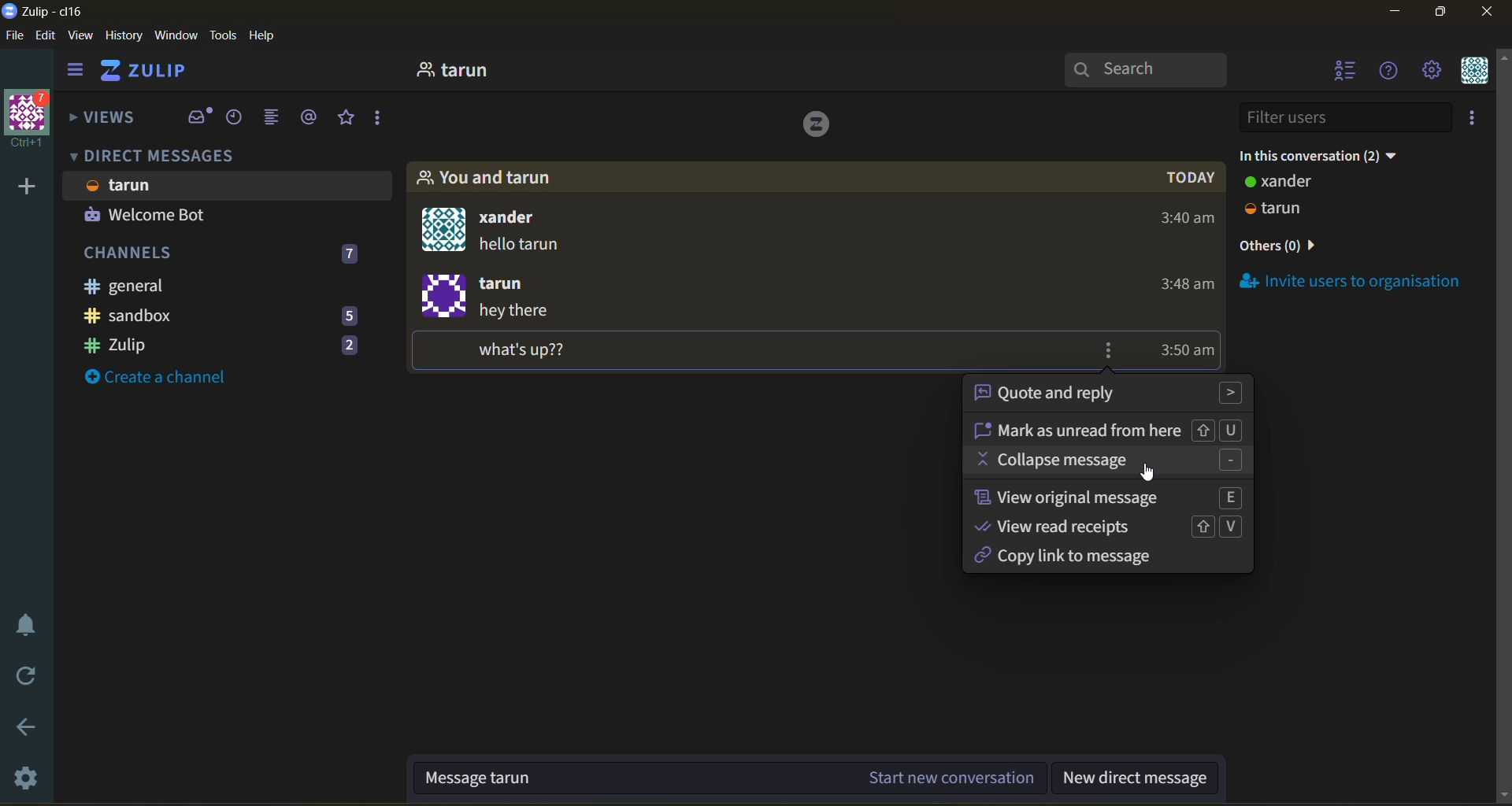  Describe the element at coordinates (1341, 117) in the screenshot. I see `filter users` at that location.